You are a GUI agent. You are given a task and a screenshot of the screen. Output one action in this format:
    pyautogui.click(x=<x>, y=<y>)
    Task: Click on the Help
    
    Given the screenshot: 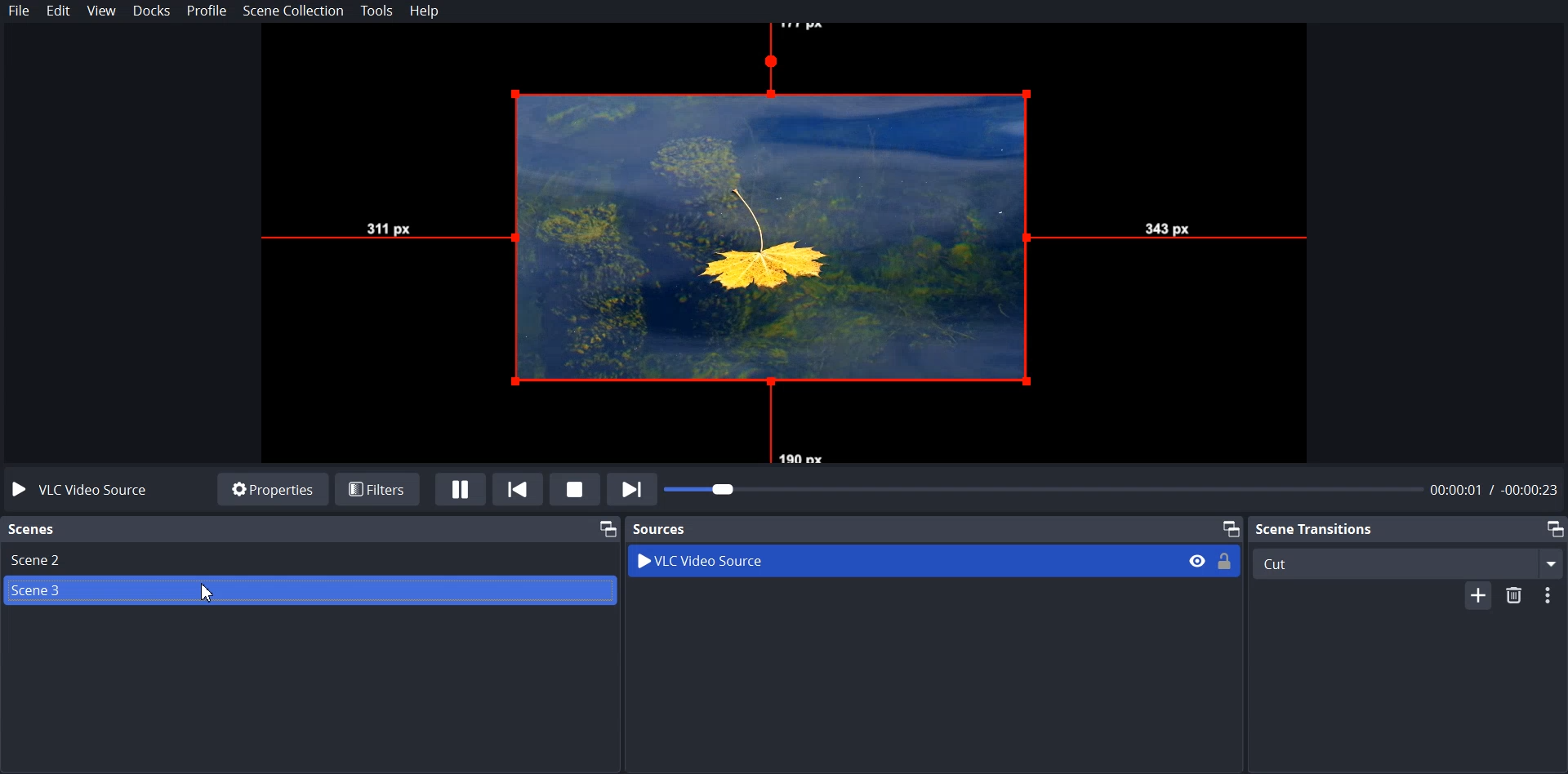 What is the action you would take?
    pyautogui.click(x=425, y=12)
    